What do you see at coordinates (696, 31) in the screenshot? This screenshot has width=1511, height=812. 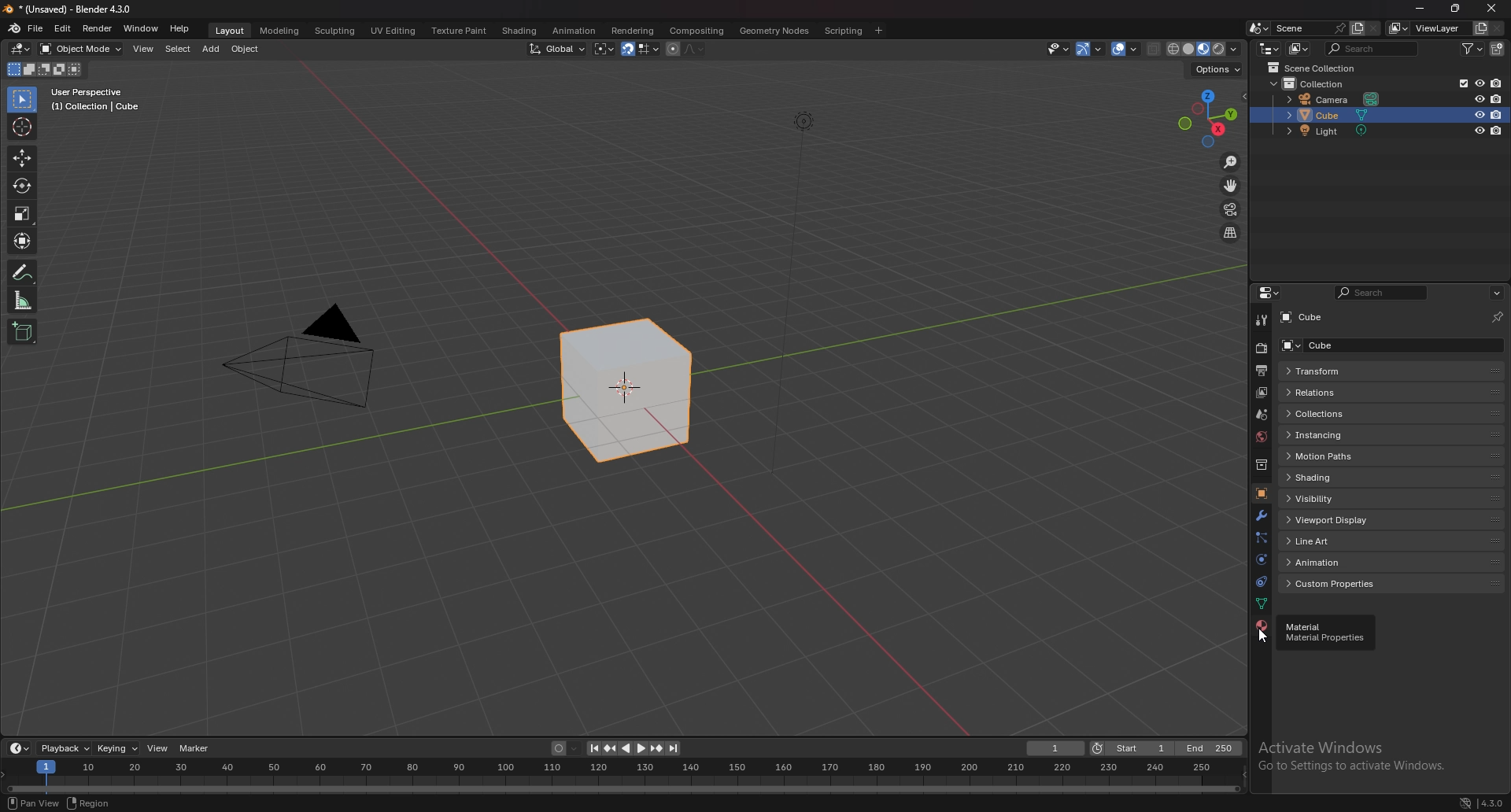 I see `compositing` at bounding box center [696, 31].